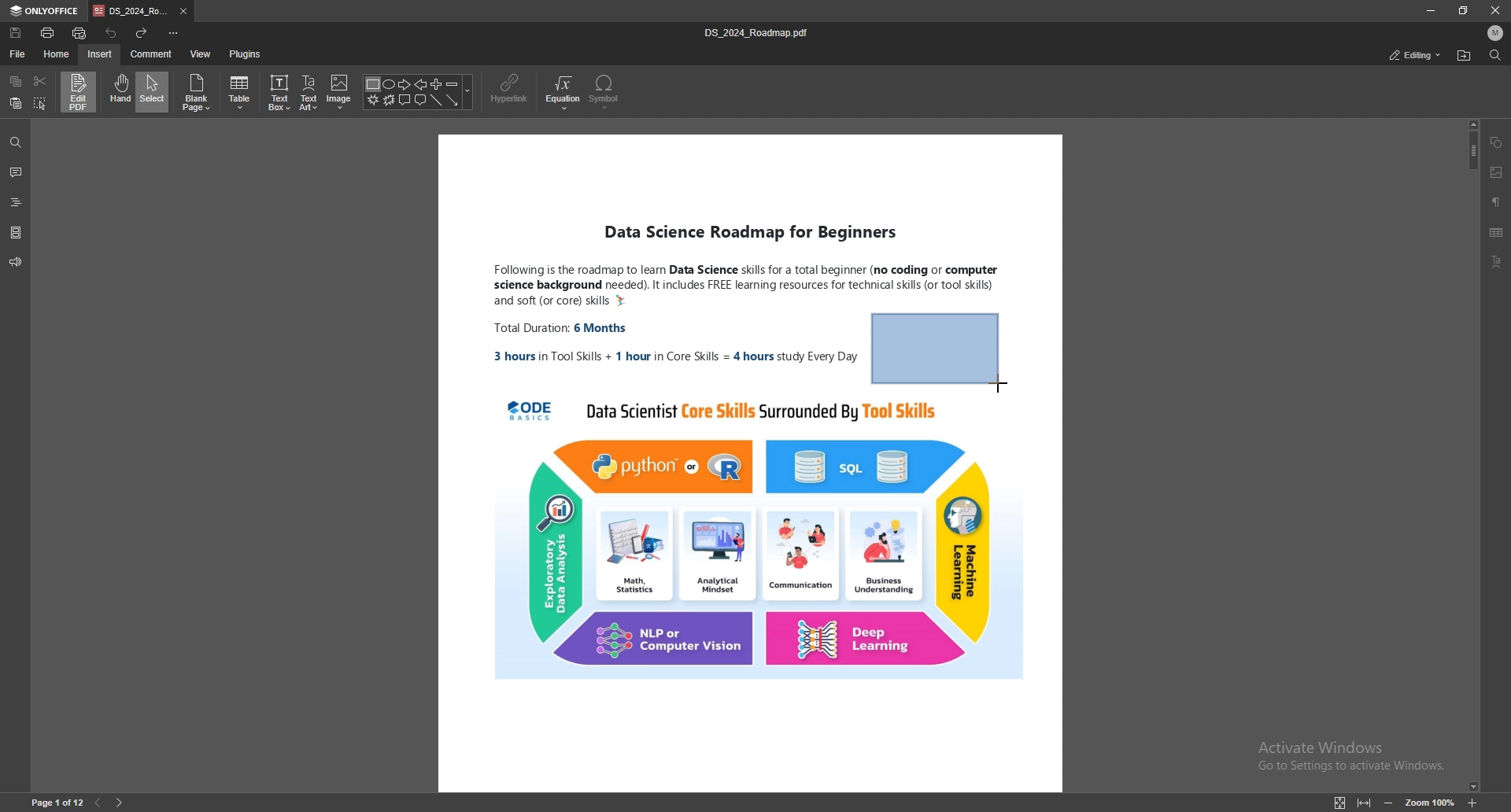  What do you see at coordinates (48, 32) in the screenshot?
I see `print` at bounding box center [48, 32].